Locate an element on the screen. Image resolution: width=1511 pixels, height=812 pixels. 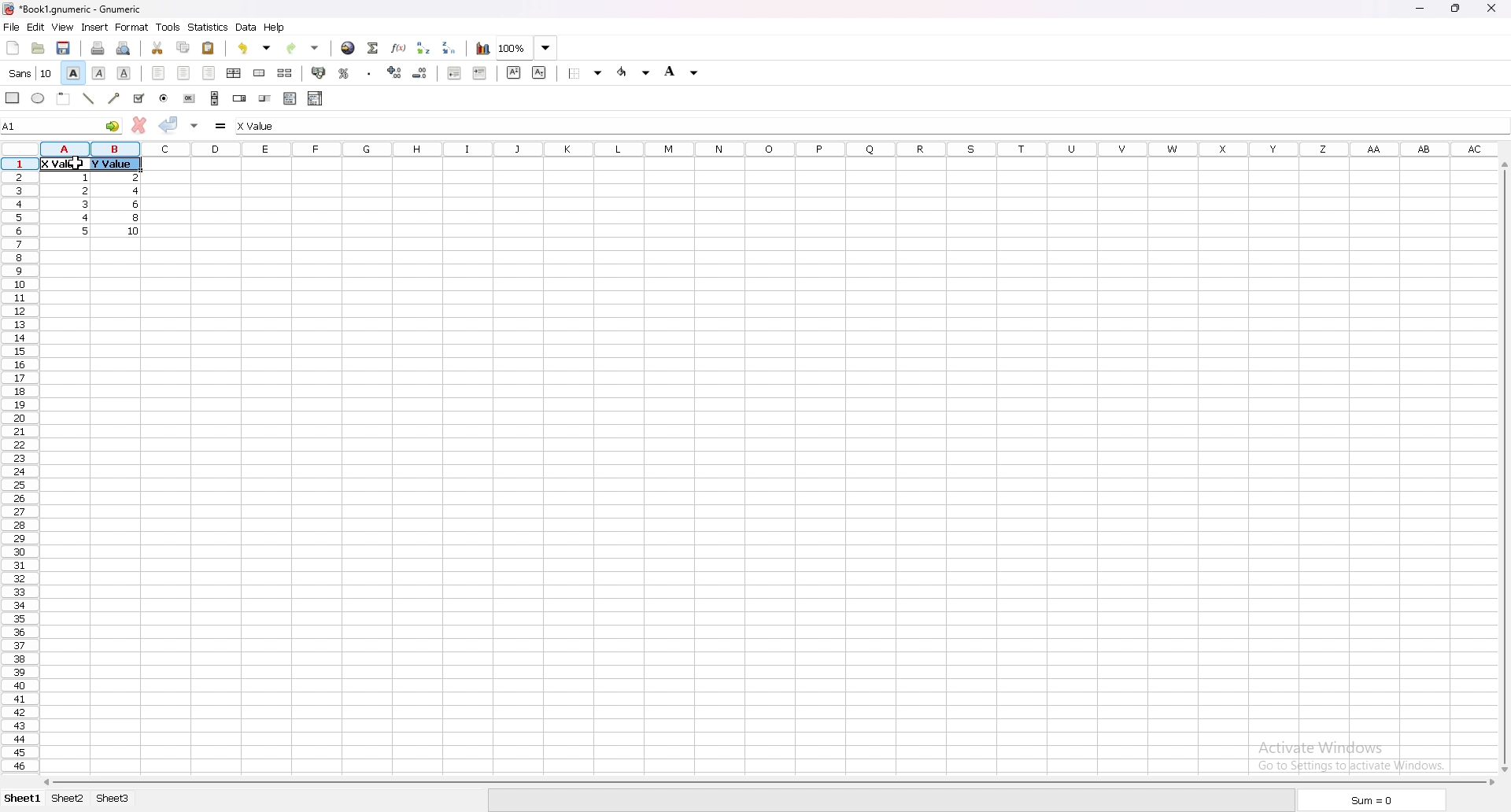
value is located at coordinates (87, 231).